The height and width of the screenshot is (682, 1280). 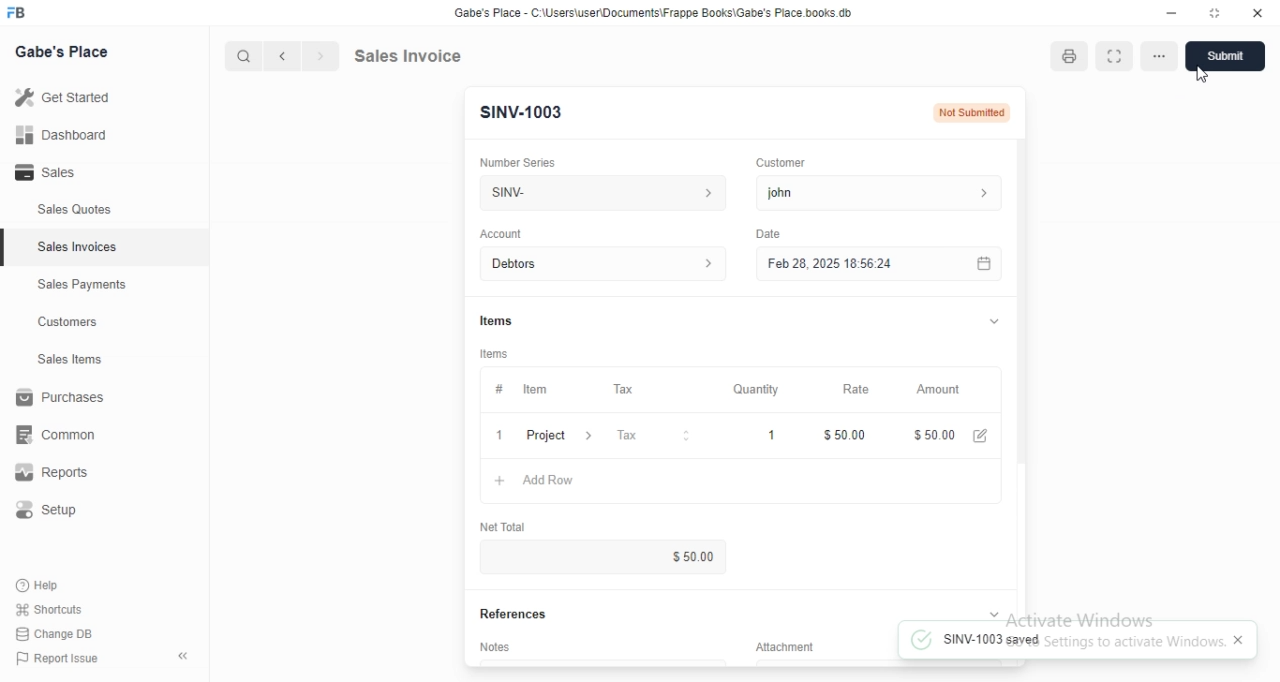 I want to click on Gabe's Place, so click(x=66, y=50).